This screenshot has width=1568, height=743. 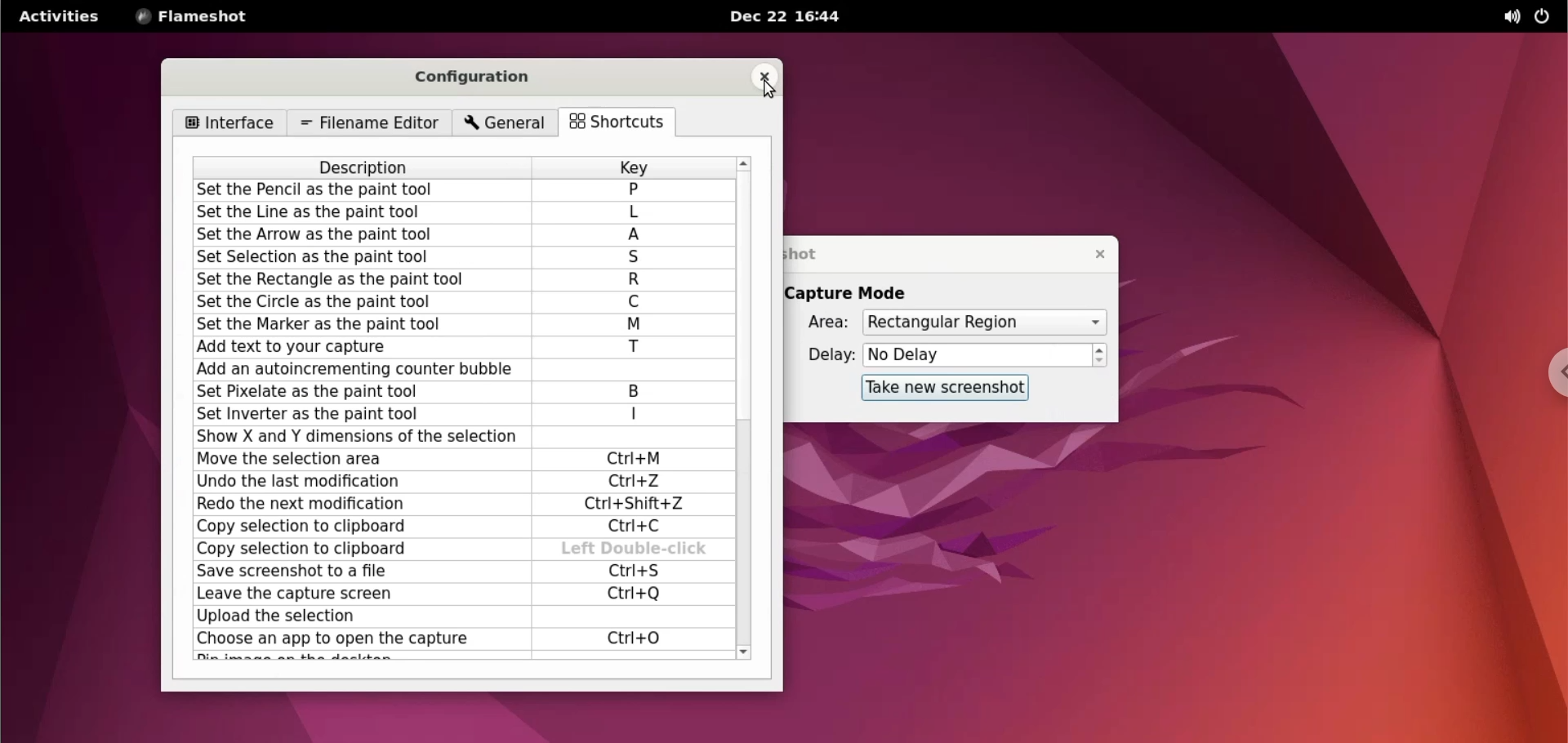 I want to click on set selection as paint tool, so click(x=360, y=259).